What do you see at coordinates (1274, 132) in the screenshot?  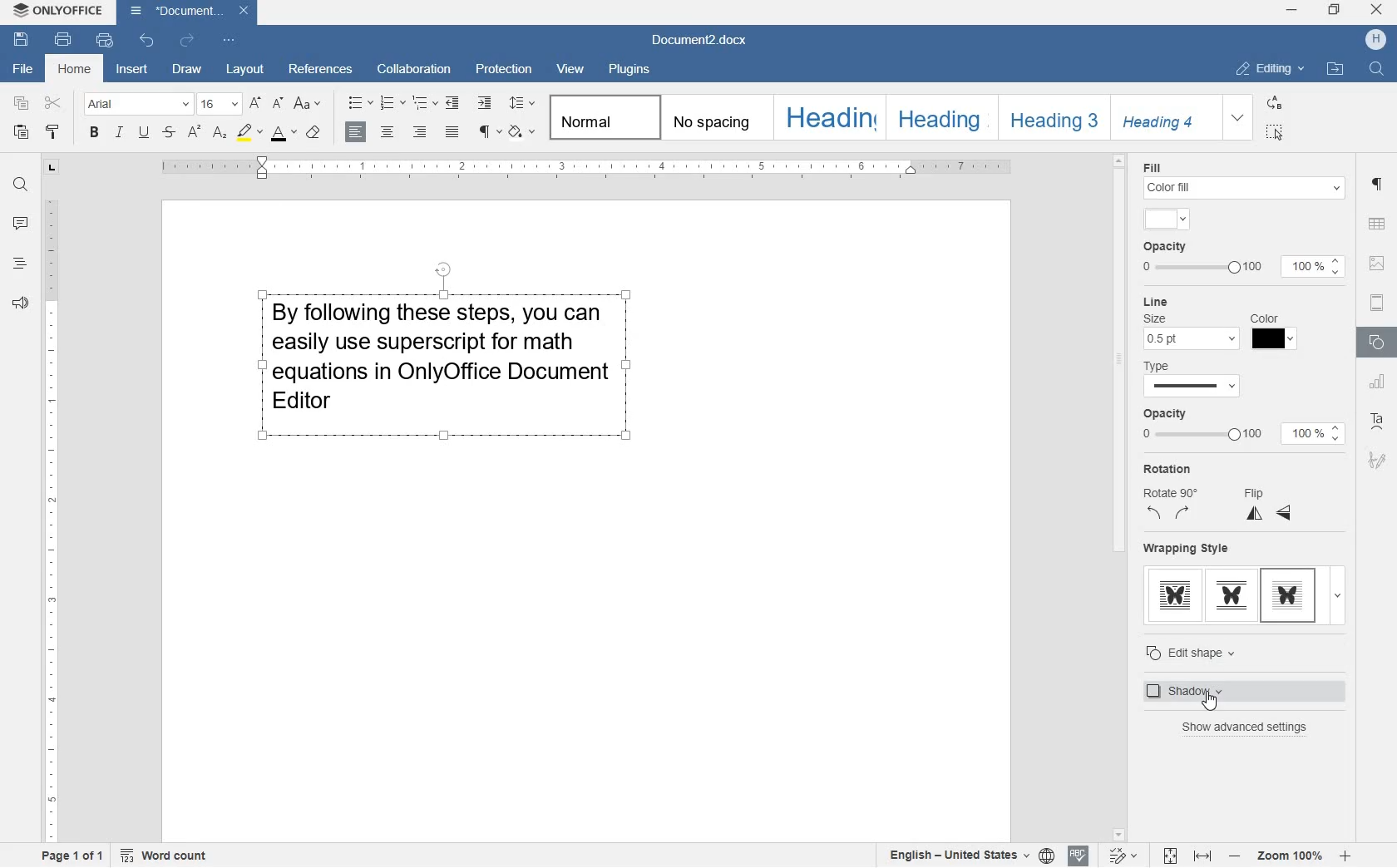 I see `SELECT ALL` at bounding box center [1274, 132].